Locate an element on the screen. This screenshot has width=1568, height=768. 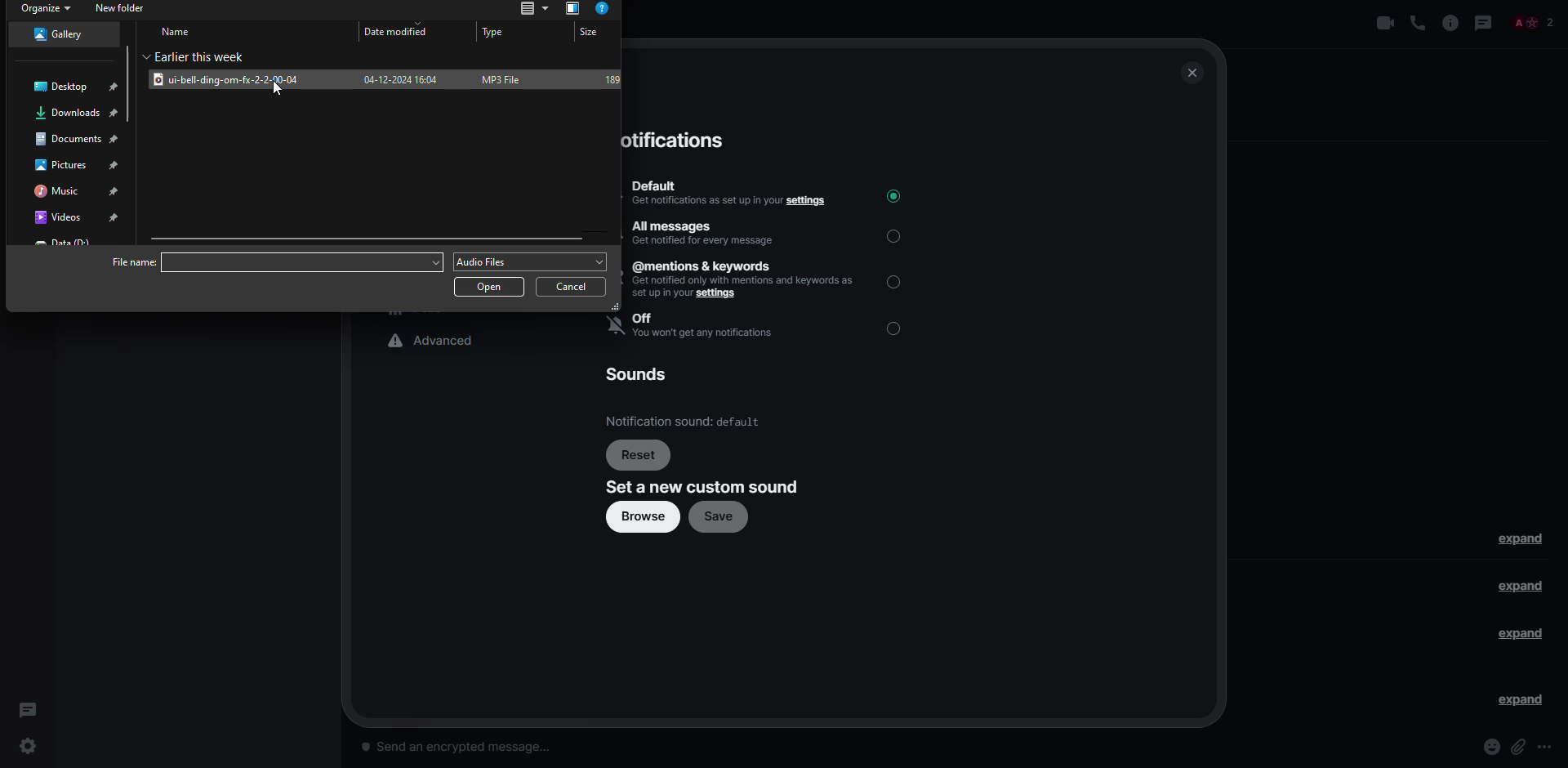
emoji is located at coordinates (1491, 747).